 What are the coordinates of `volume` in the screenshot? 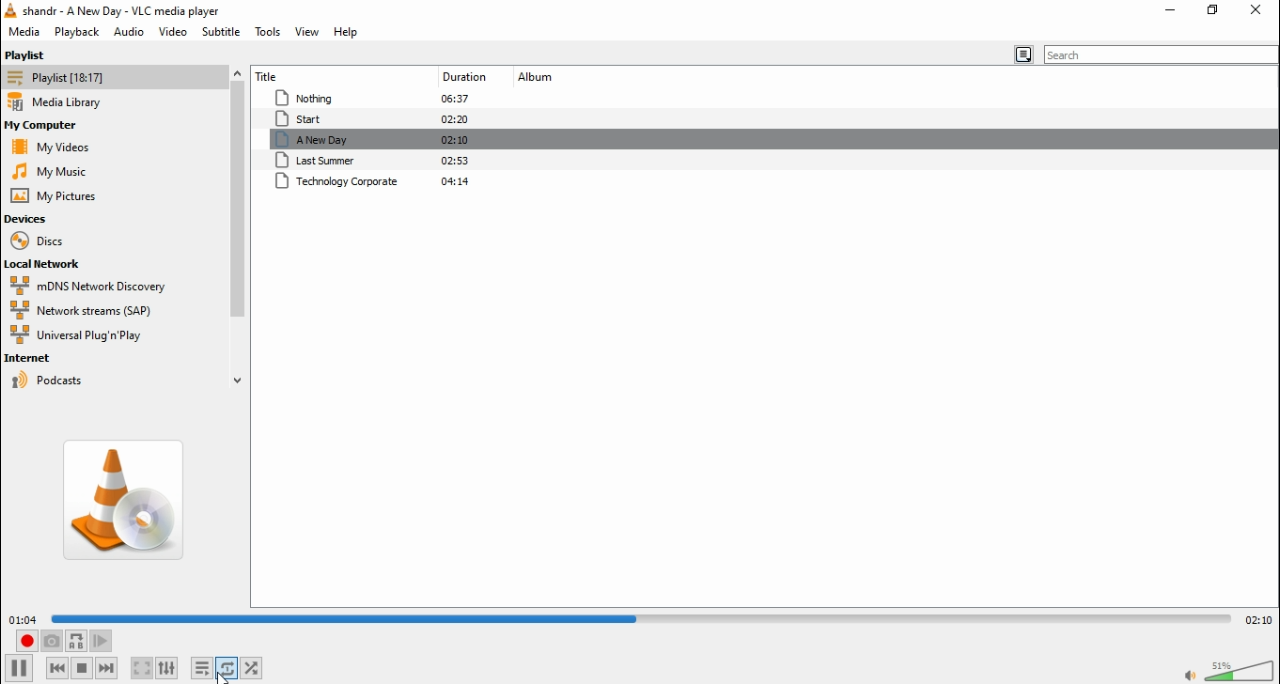 It's located at (1242, 670).